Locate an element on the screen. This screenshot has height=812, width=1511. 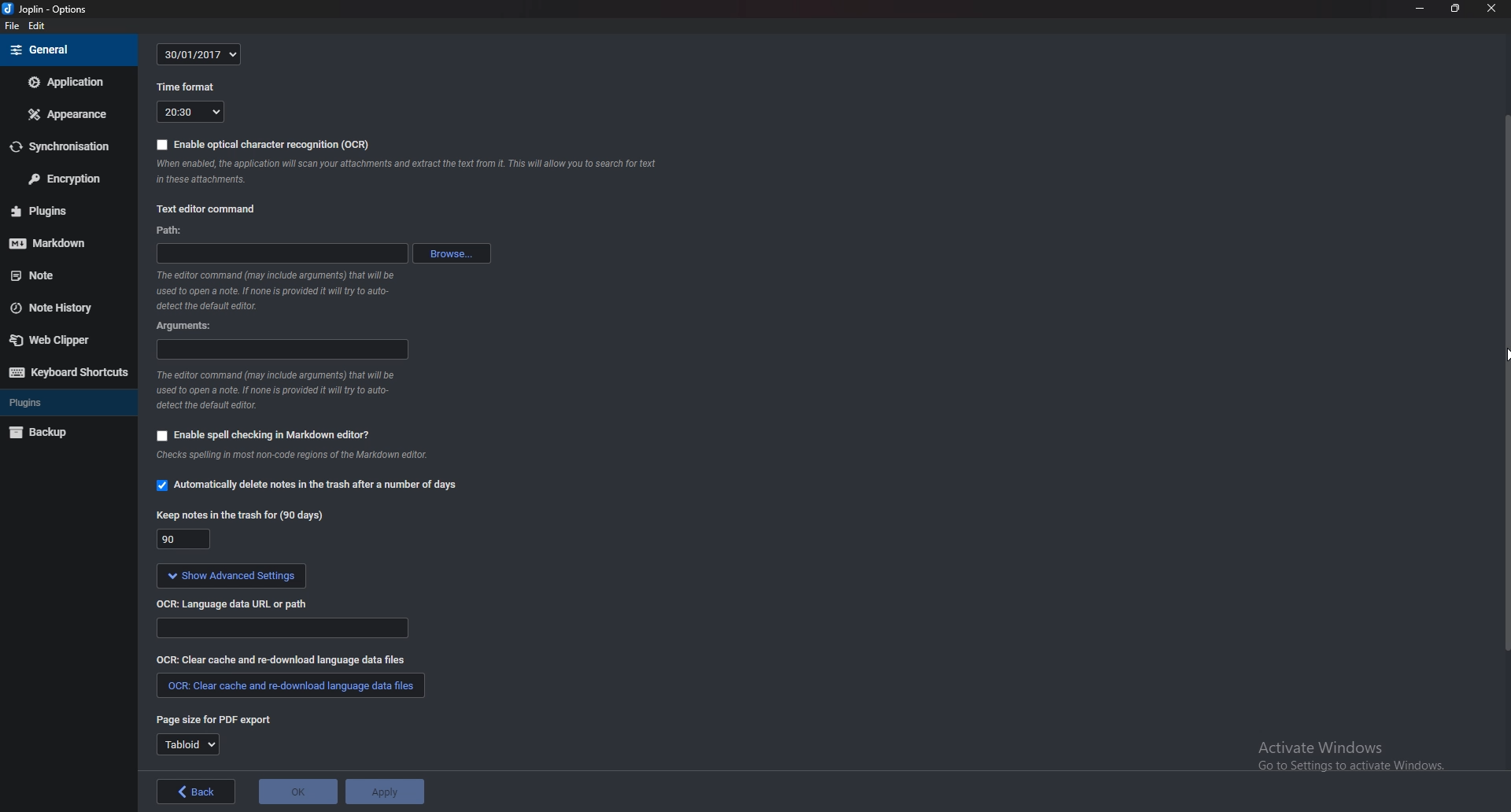
close is located at coordinates (1486, 10).